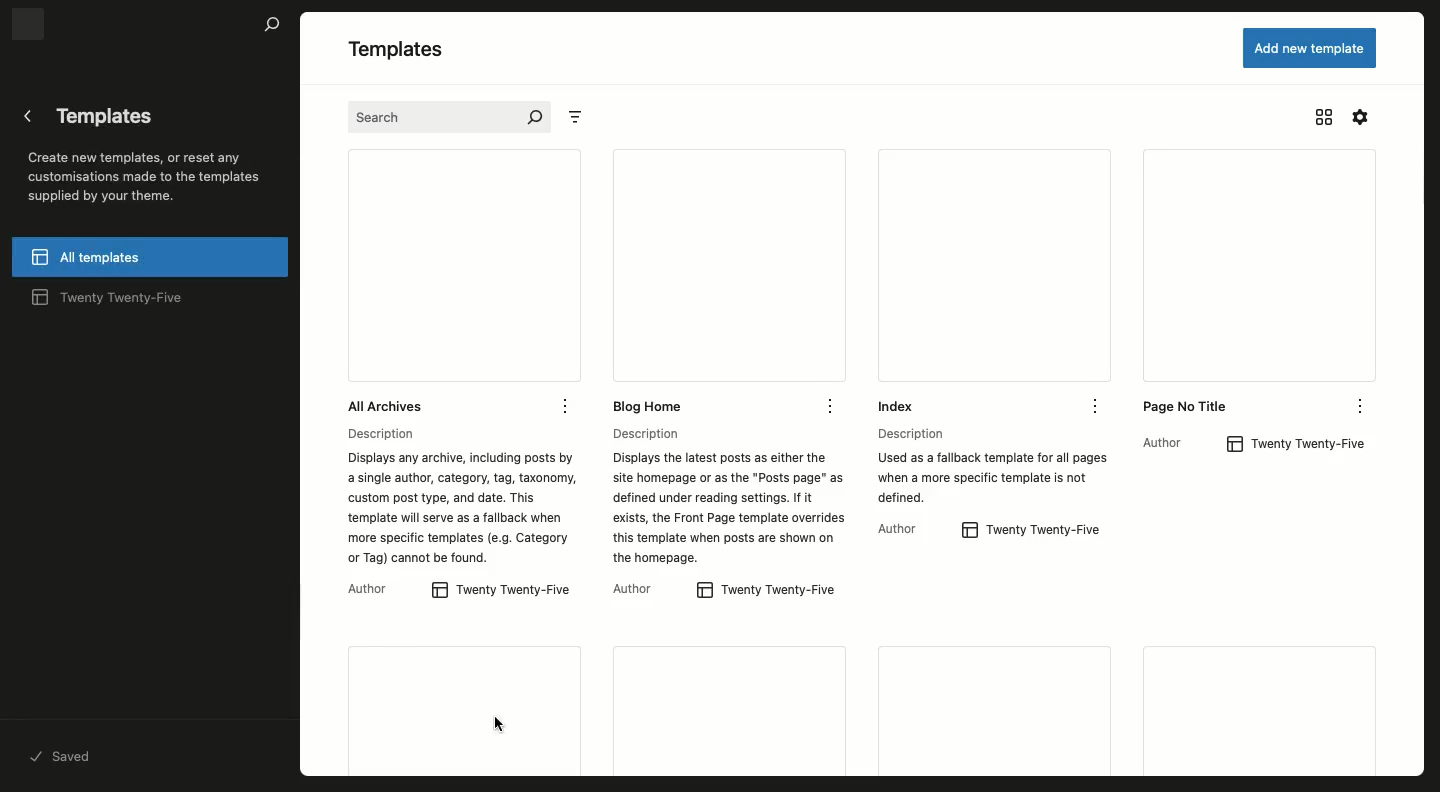 The width and height of the screenshot is (1440, 792). I want to click on View, so click(1325, 118).